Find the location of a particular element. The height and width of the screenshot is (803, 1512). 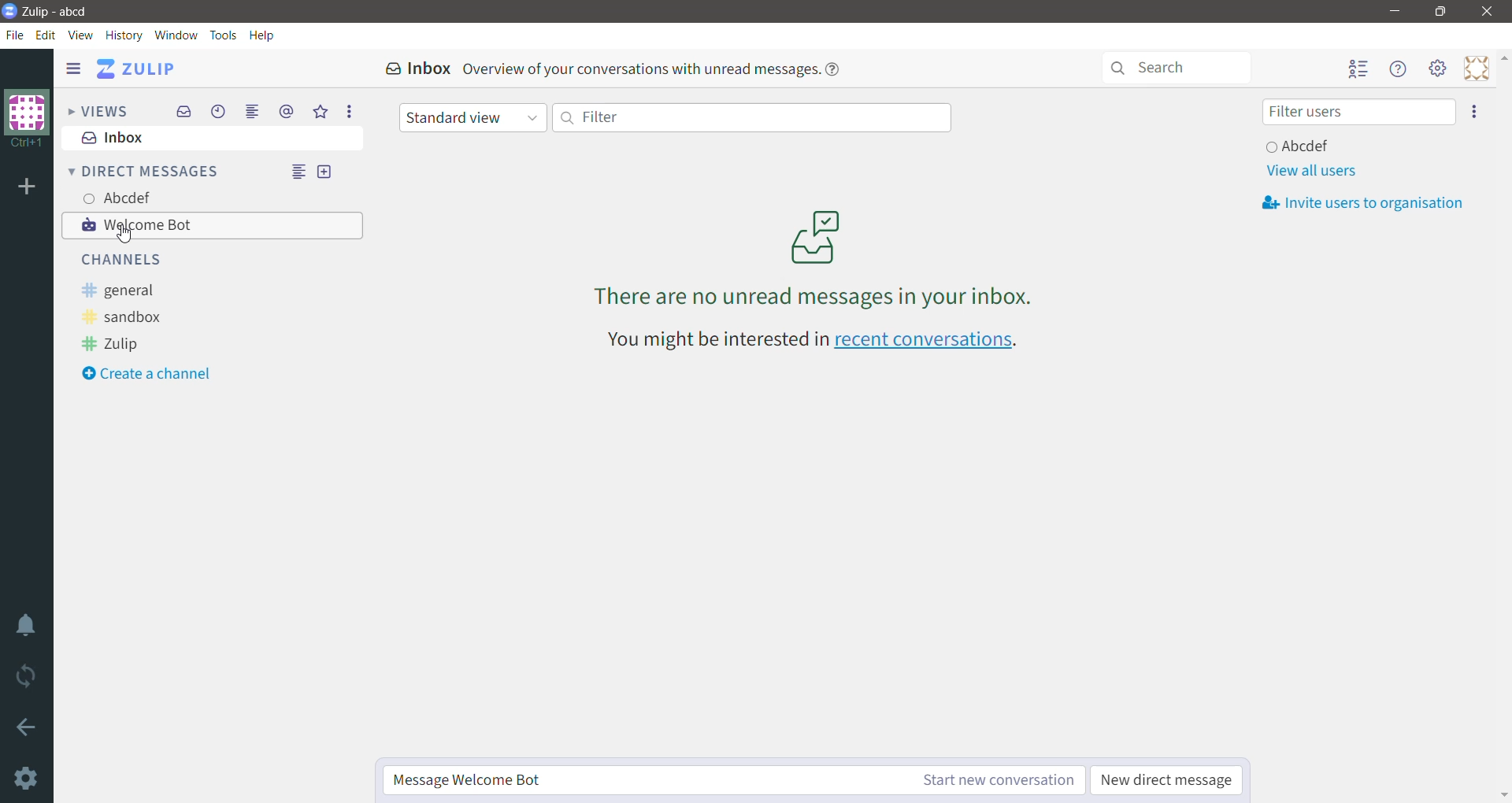

Recent Conversations is located at coordinates (219, 111).